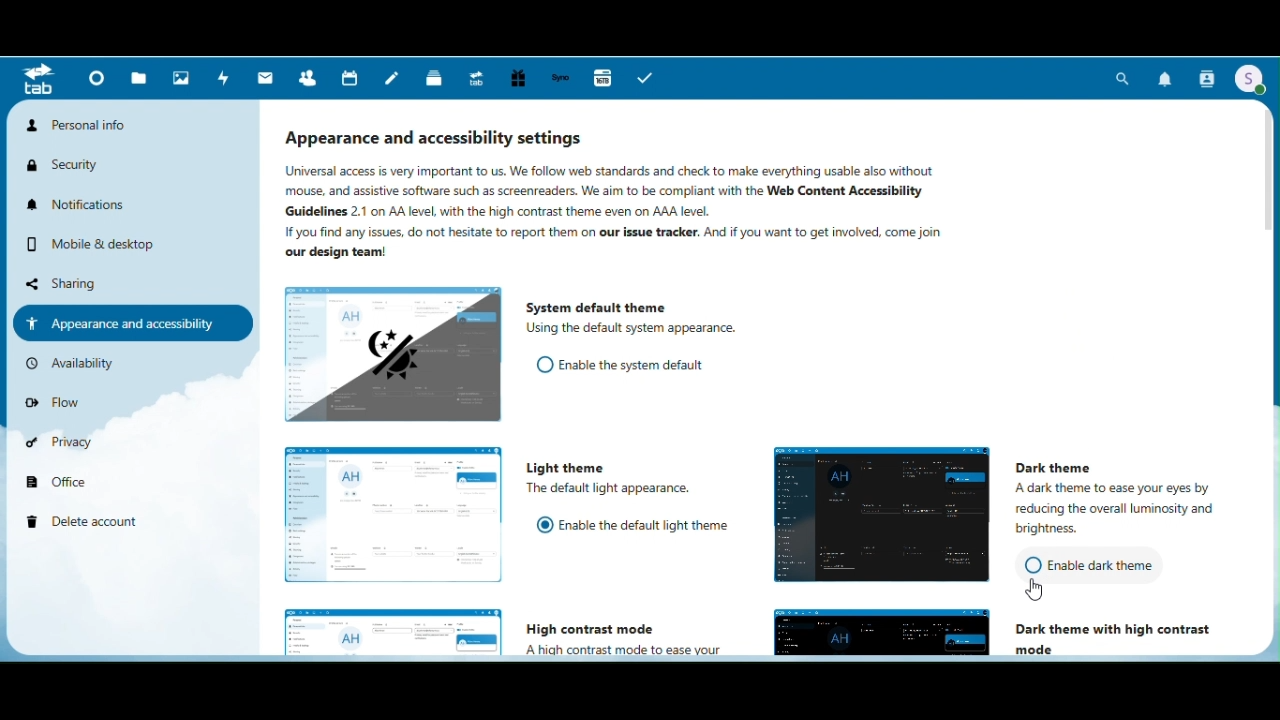 The height and width of the screenshot is (720, 1280). What do you see at coordinates (138, 77) in the screenshot?
I see `Files` at bounding box center [138, 77].